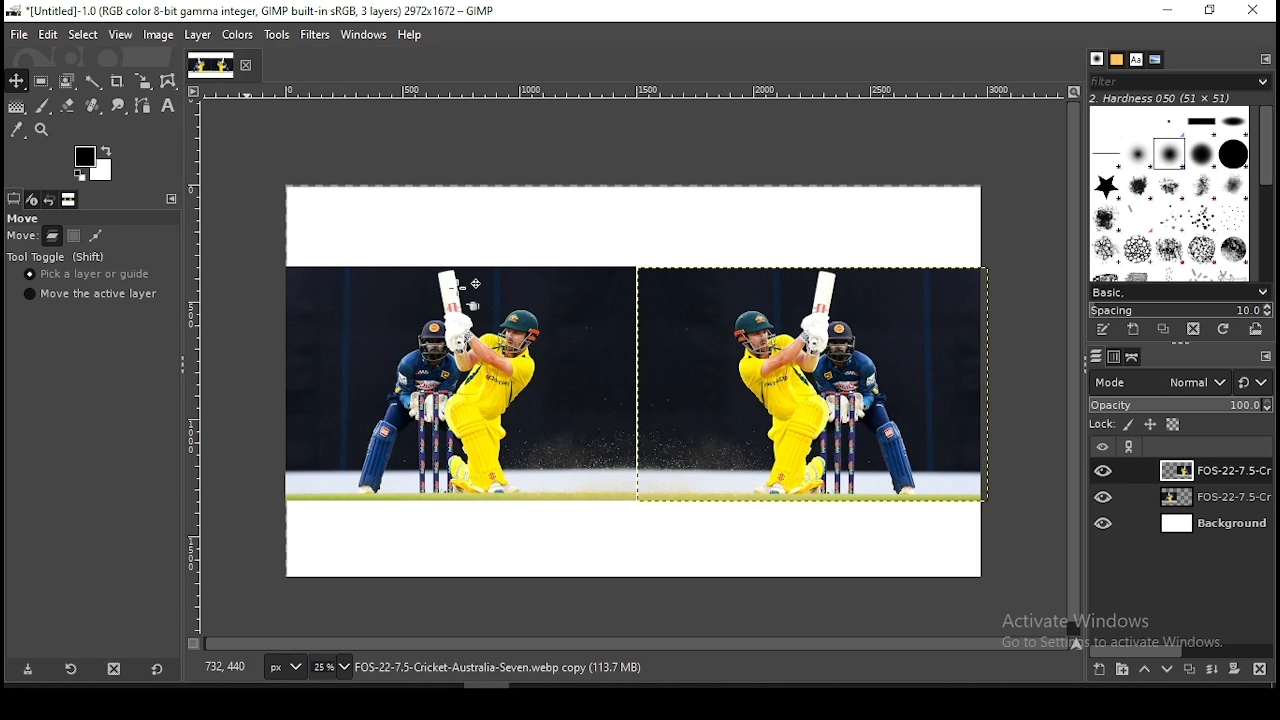  Describe the element at coordinates (1267, 190) in the screenshot. I see `Scroll bar` at that location.